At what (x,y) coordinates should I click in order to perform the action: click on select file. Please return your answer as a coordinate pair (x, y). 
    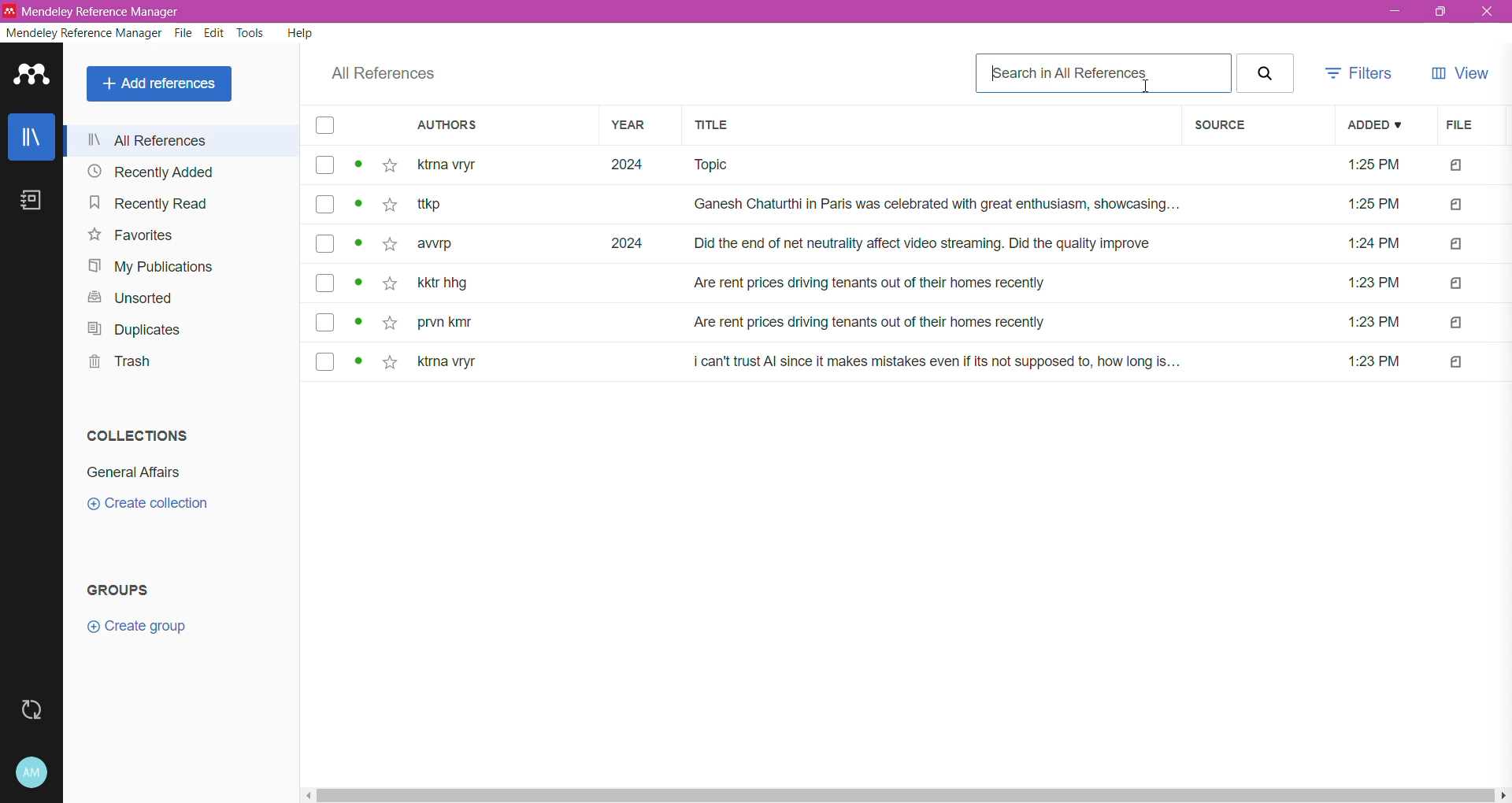
    Looking at the image, I should click on (321, 362).